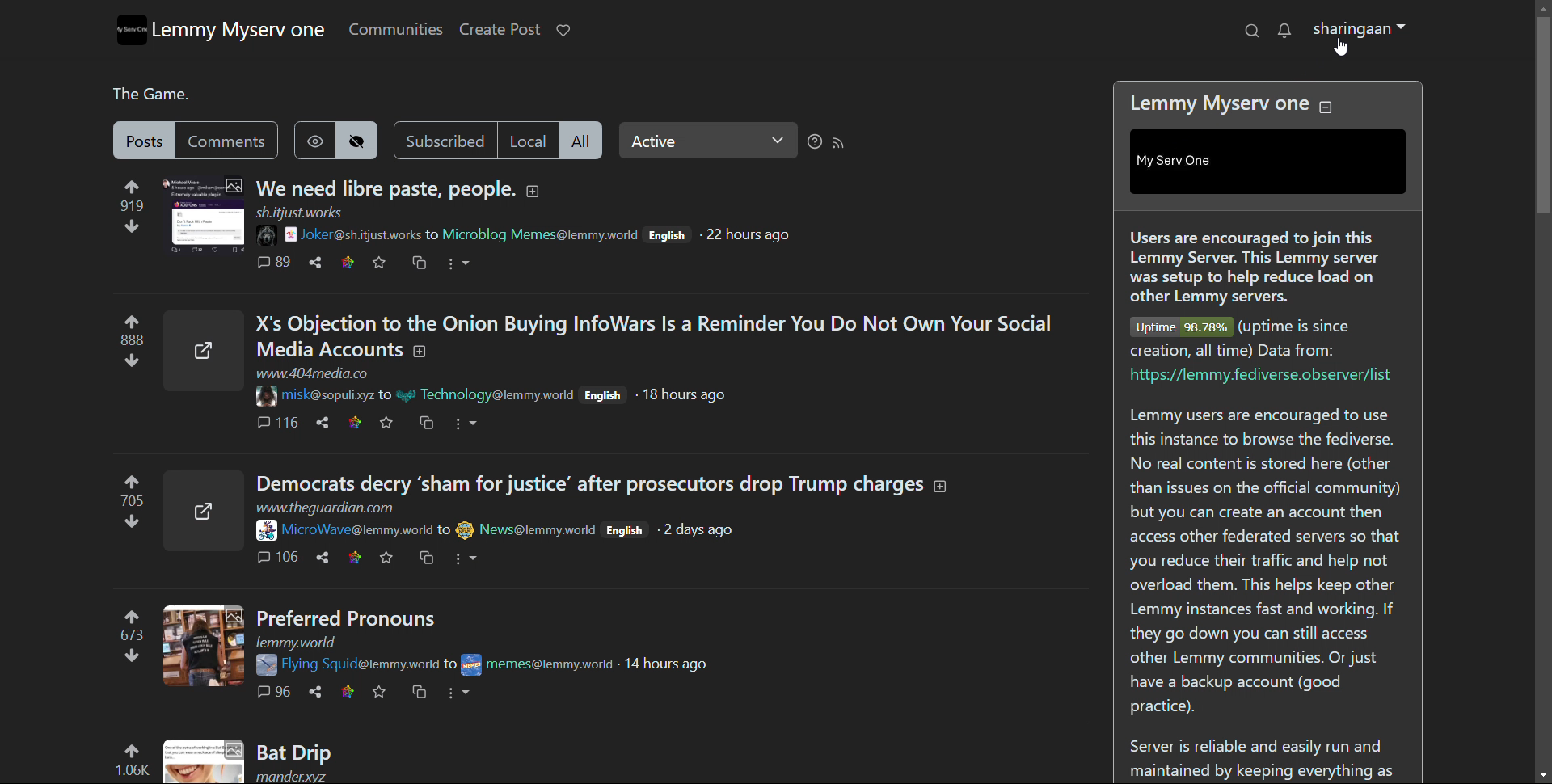 The image size is (1552, 784). What do you see at coordinates (388, 424) in the screenshot?
I see `favorite` at bounding box center [388, 424].